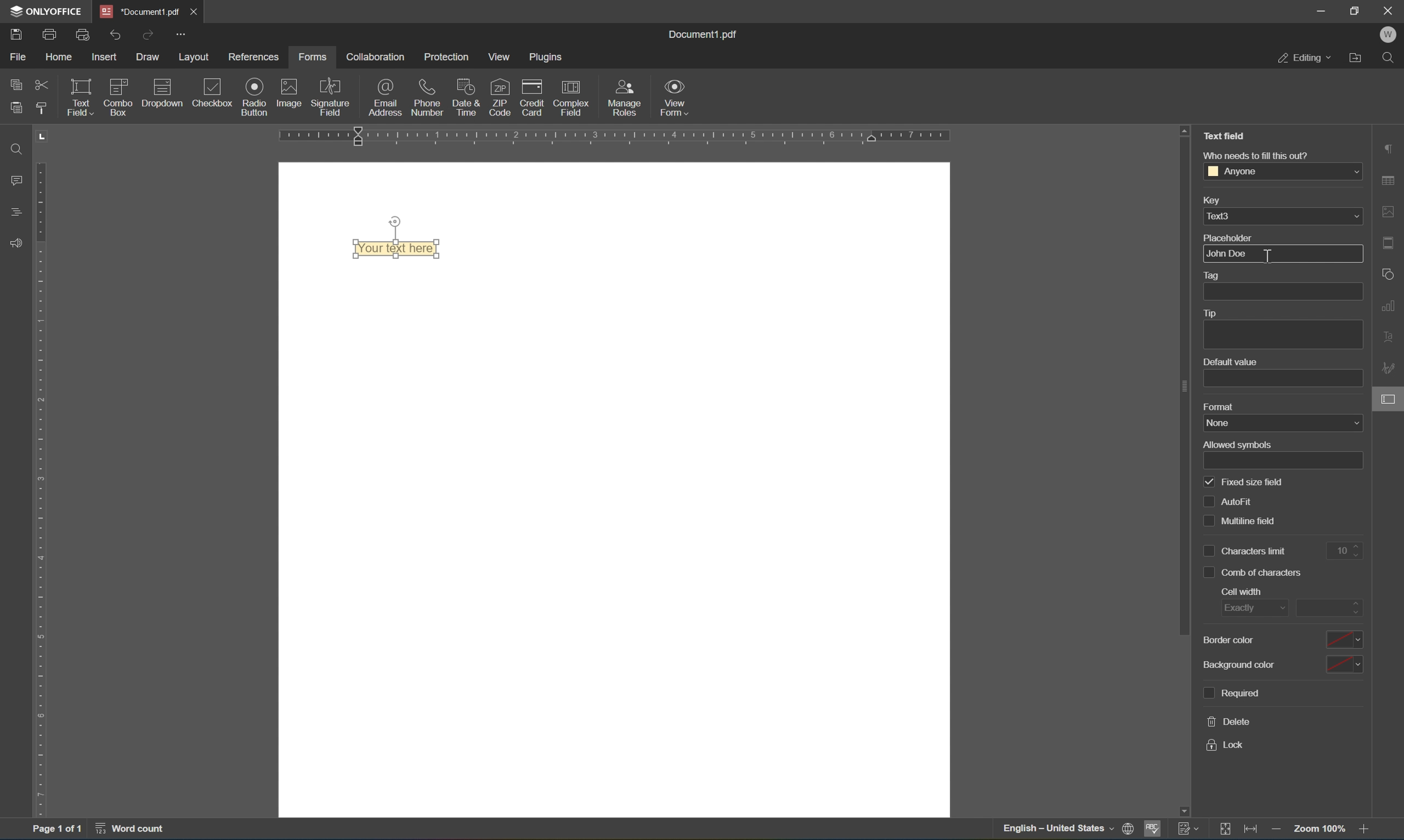 Image resolution: width=1404 pixels, height=840 pixels. I want to click on who needs to fill this out?, so click(1263, 153).